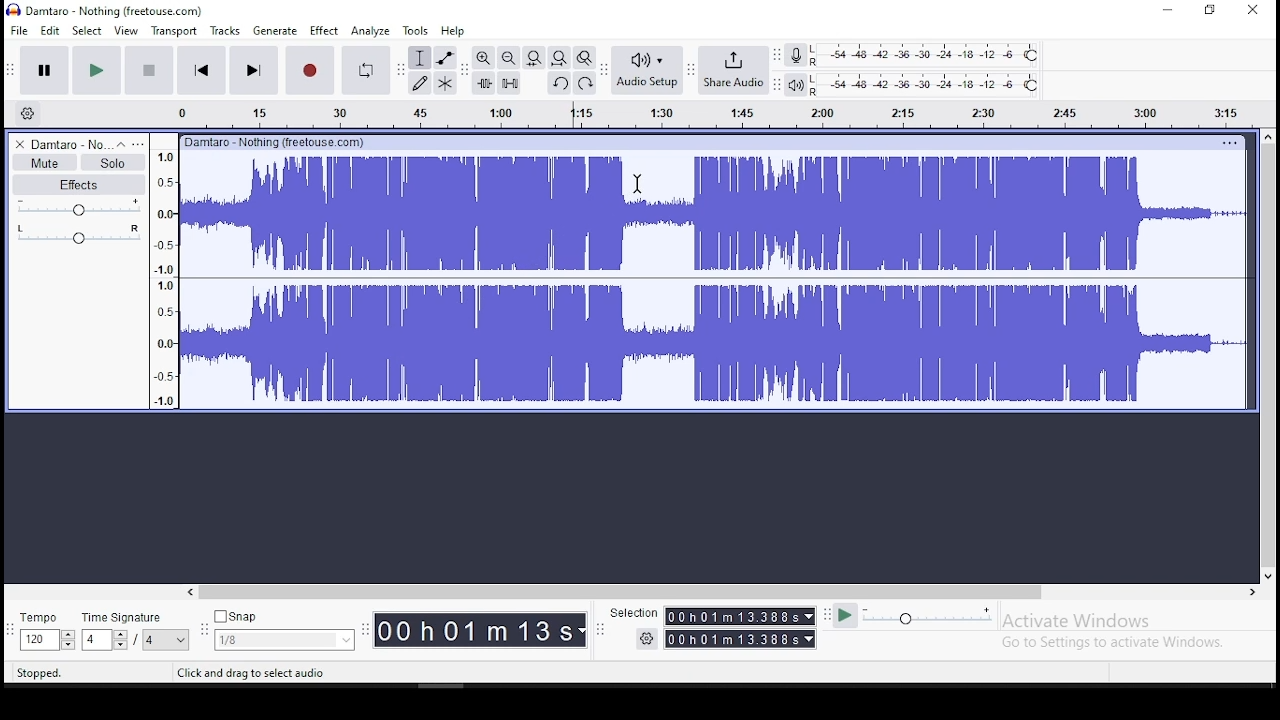  I want to click on zoom in, so click(483, 57).